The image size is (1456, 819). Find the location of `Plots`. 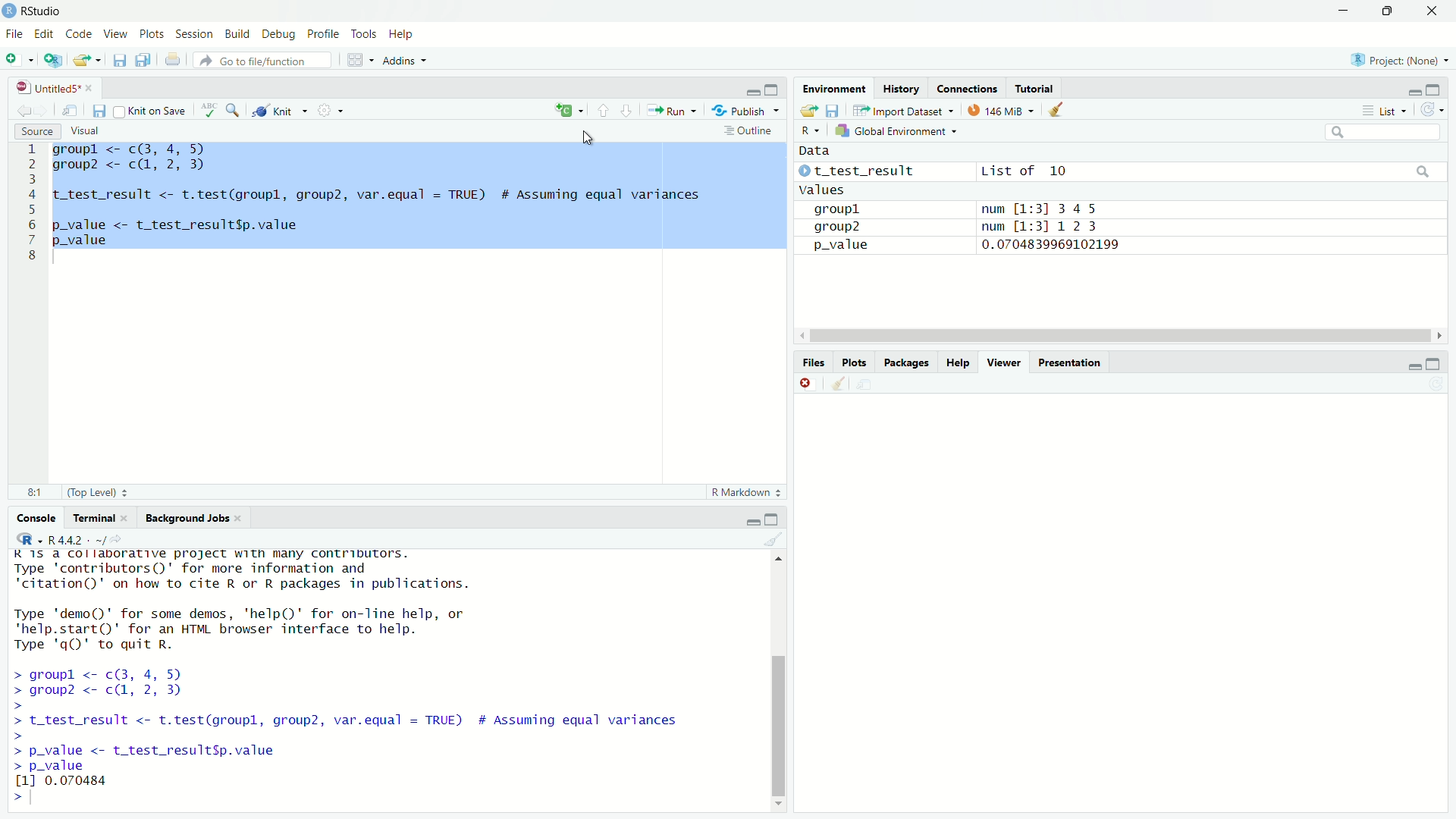

Plots is located at coordinates (152, 32).